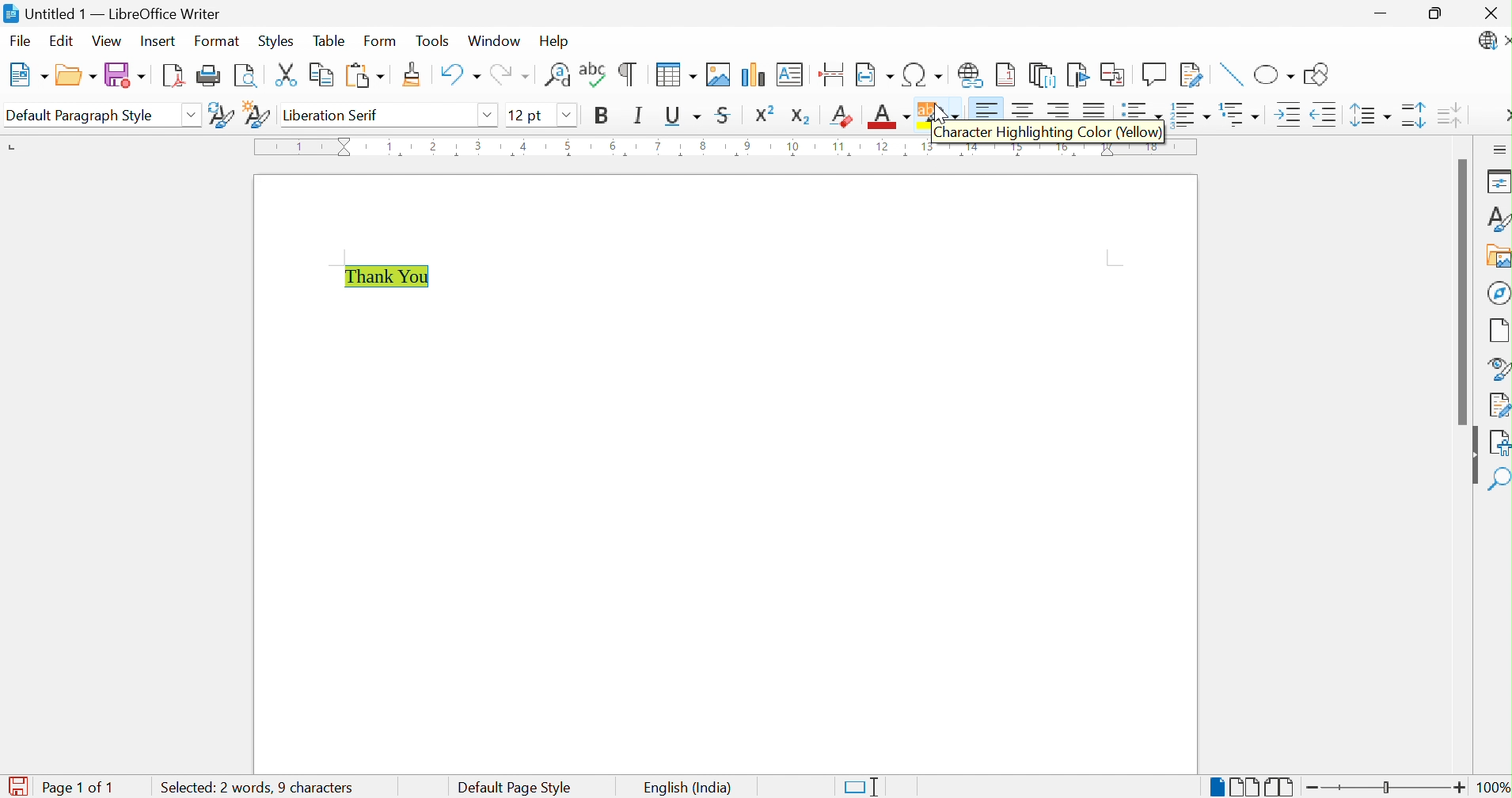 This screenshot has height=798, width=1512. I want to click on Styles, so click(1492, 217).